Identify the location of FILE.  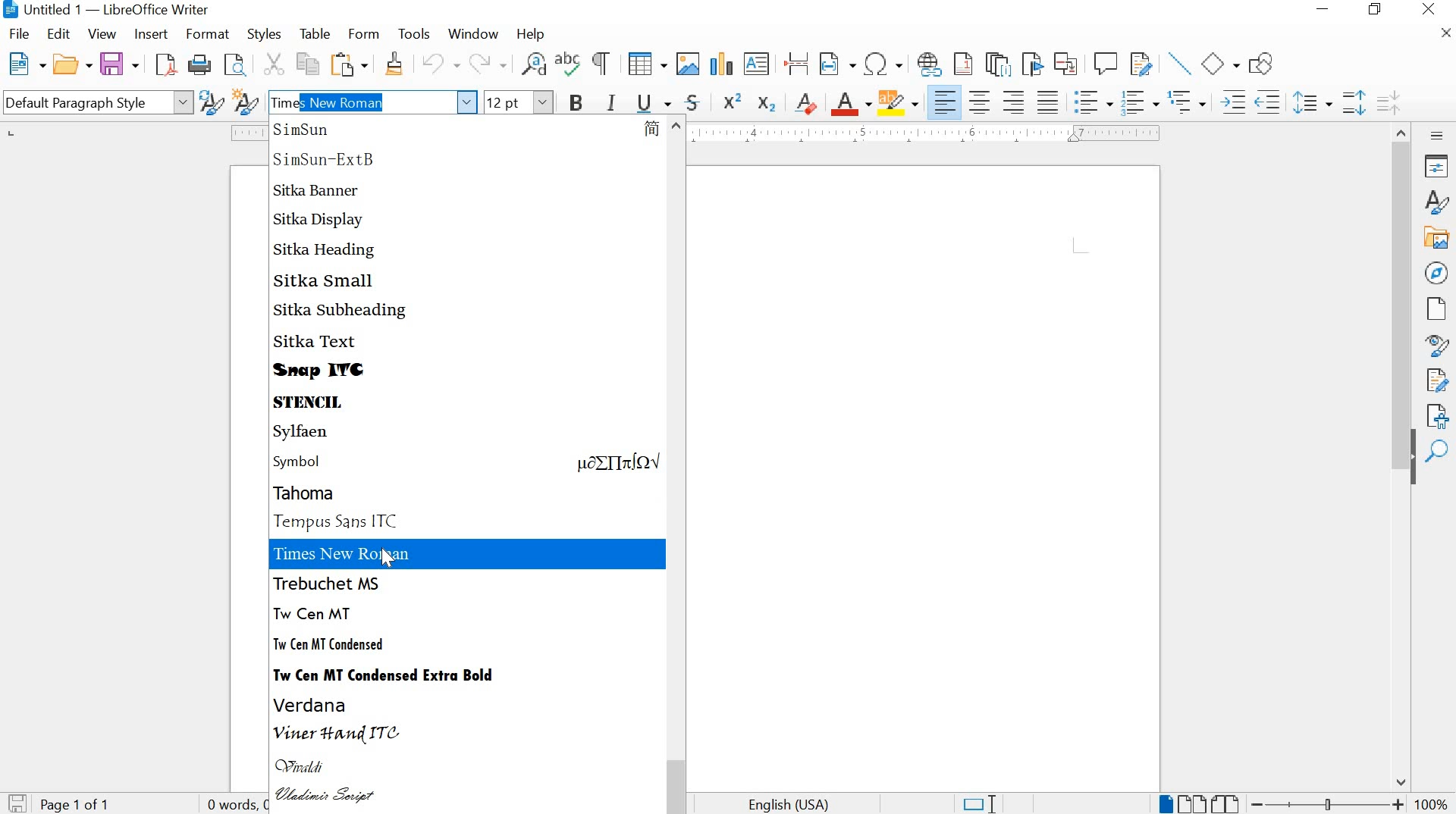
(21, 34).